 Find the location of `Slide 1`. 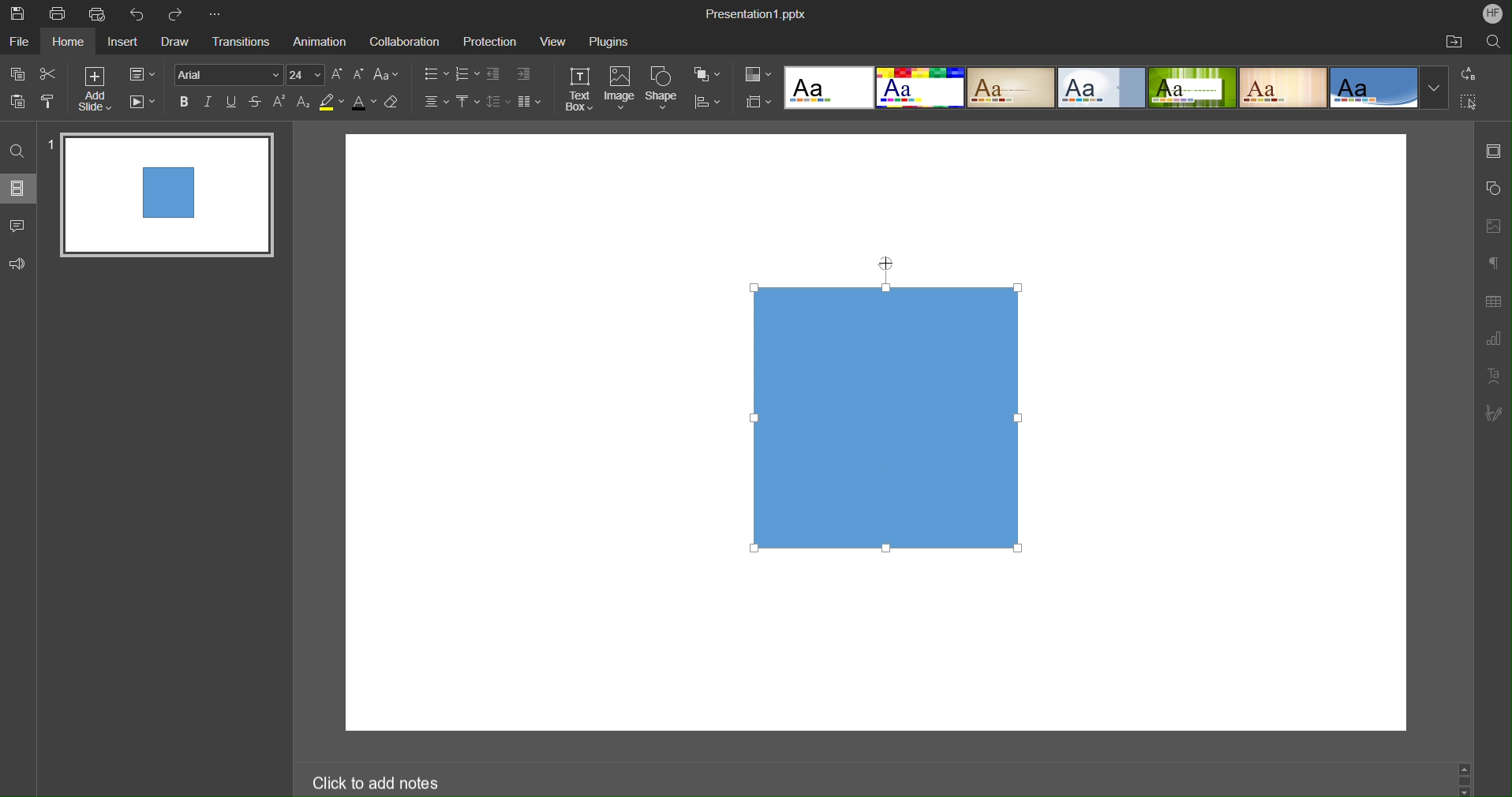

Slide 1 is located at coordinates (164, 196).